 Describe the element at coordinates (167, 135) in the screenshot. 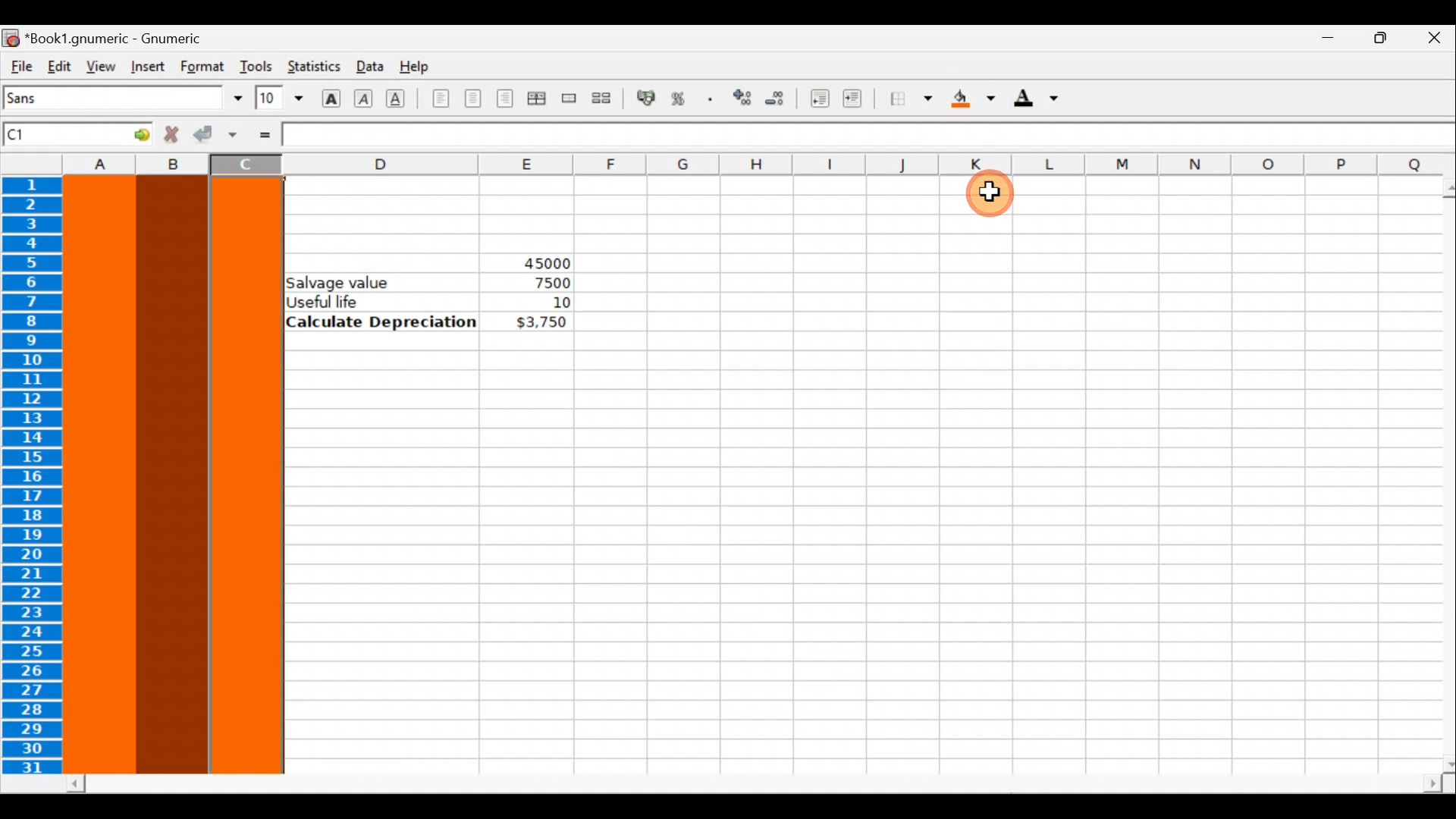

I see `Reject change` at that location.